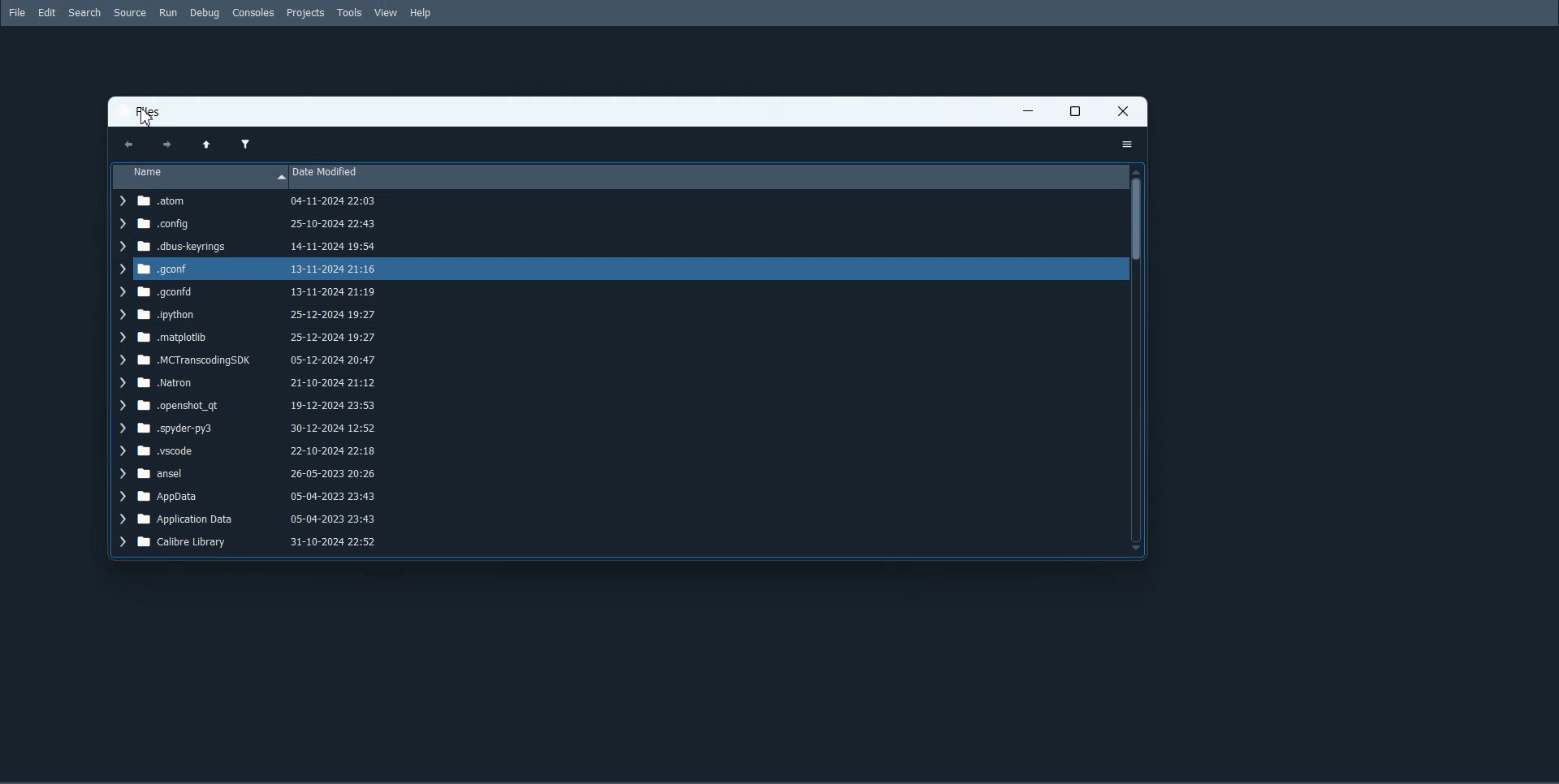 The height and width of the screenshot is (784, 1559). I want to click on -openshot_qt 19-12-2024 23:53, so click(246, 407).